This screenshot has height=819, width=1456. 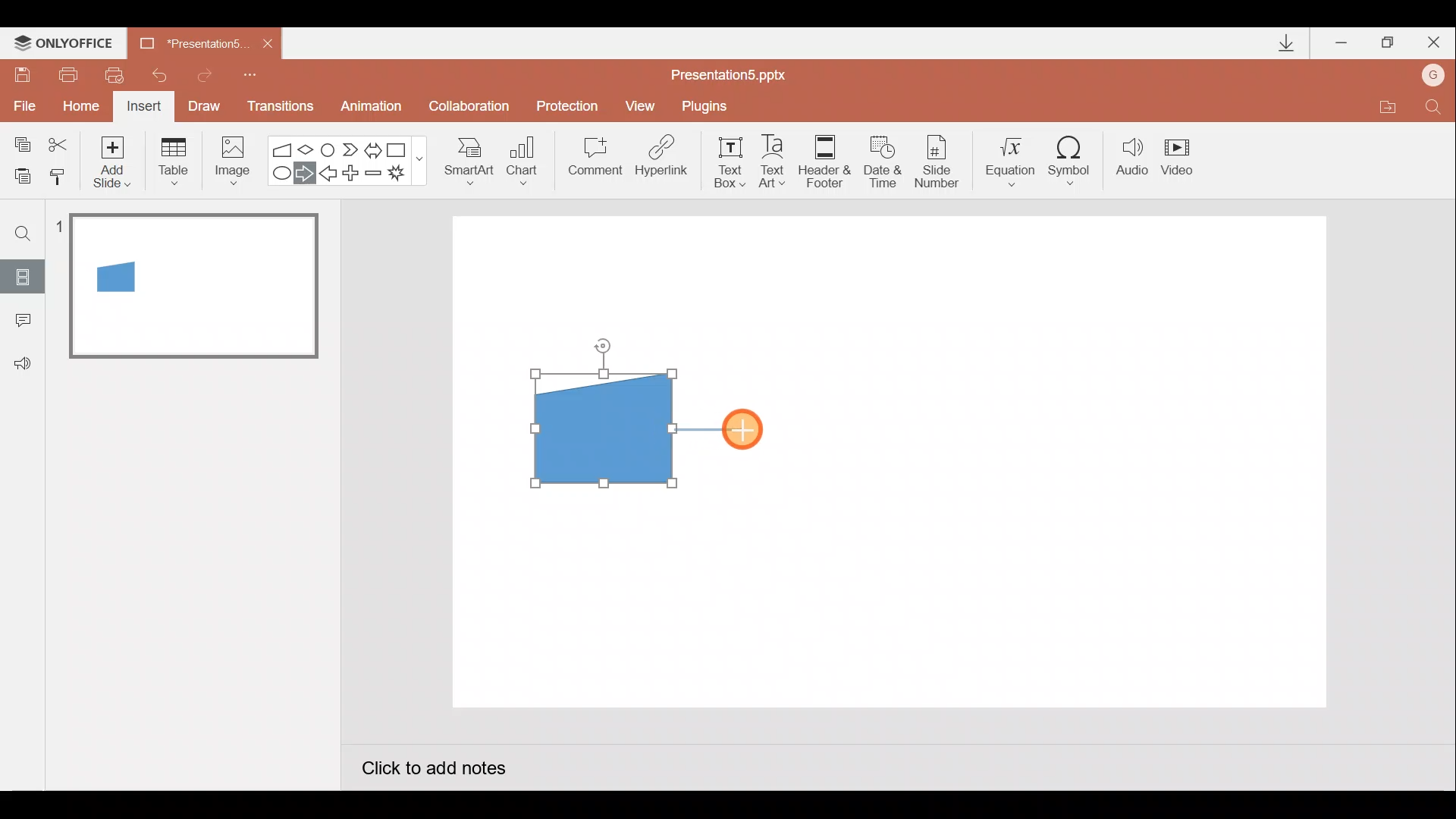 I want to click on Flowchart - manual input, so click(x=284, y=148).